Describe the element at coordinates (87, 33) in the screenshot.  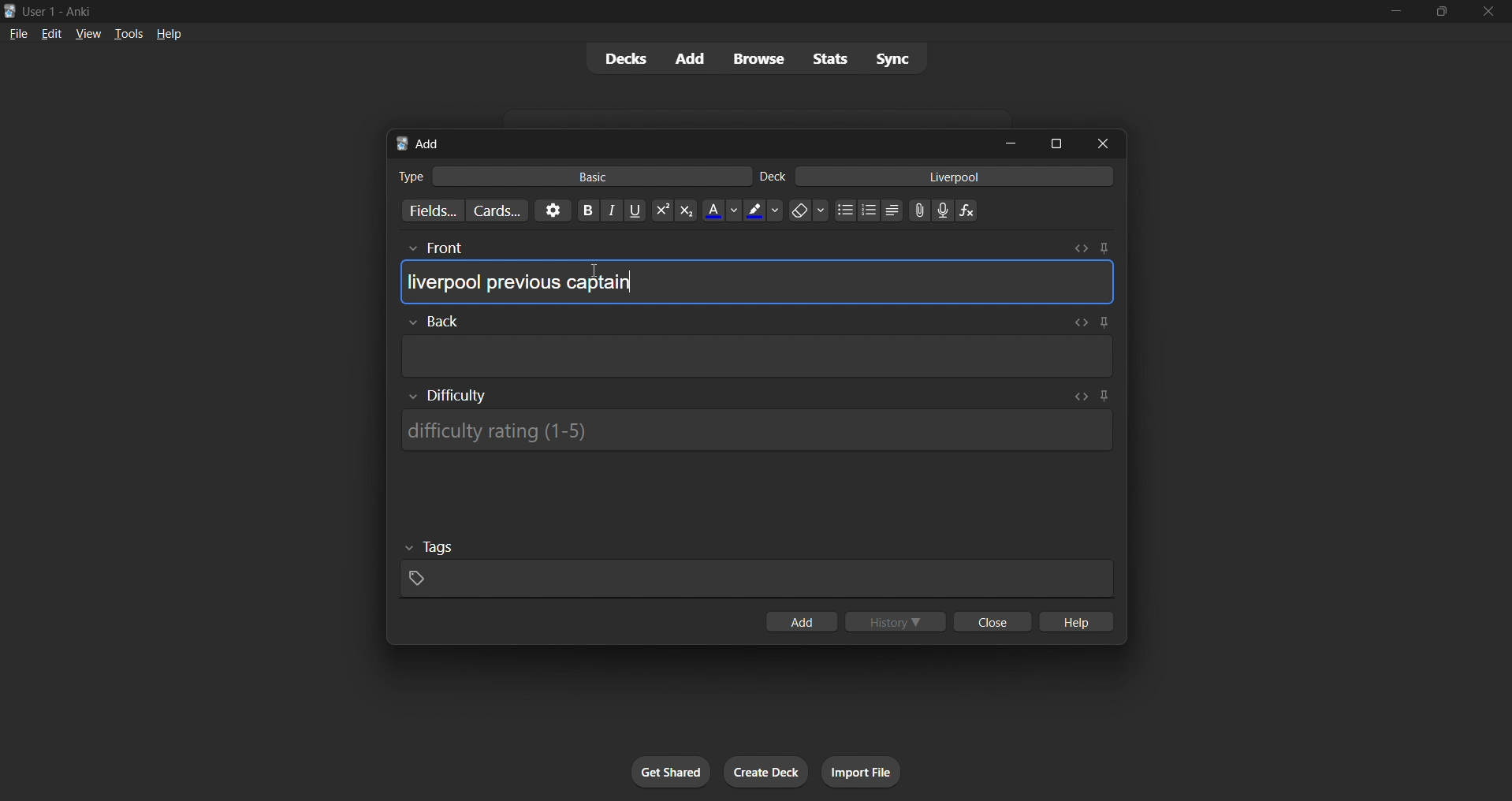
I see `view` at that location.